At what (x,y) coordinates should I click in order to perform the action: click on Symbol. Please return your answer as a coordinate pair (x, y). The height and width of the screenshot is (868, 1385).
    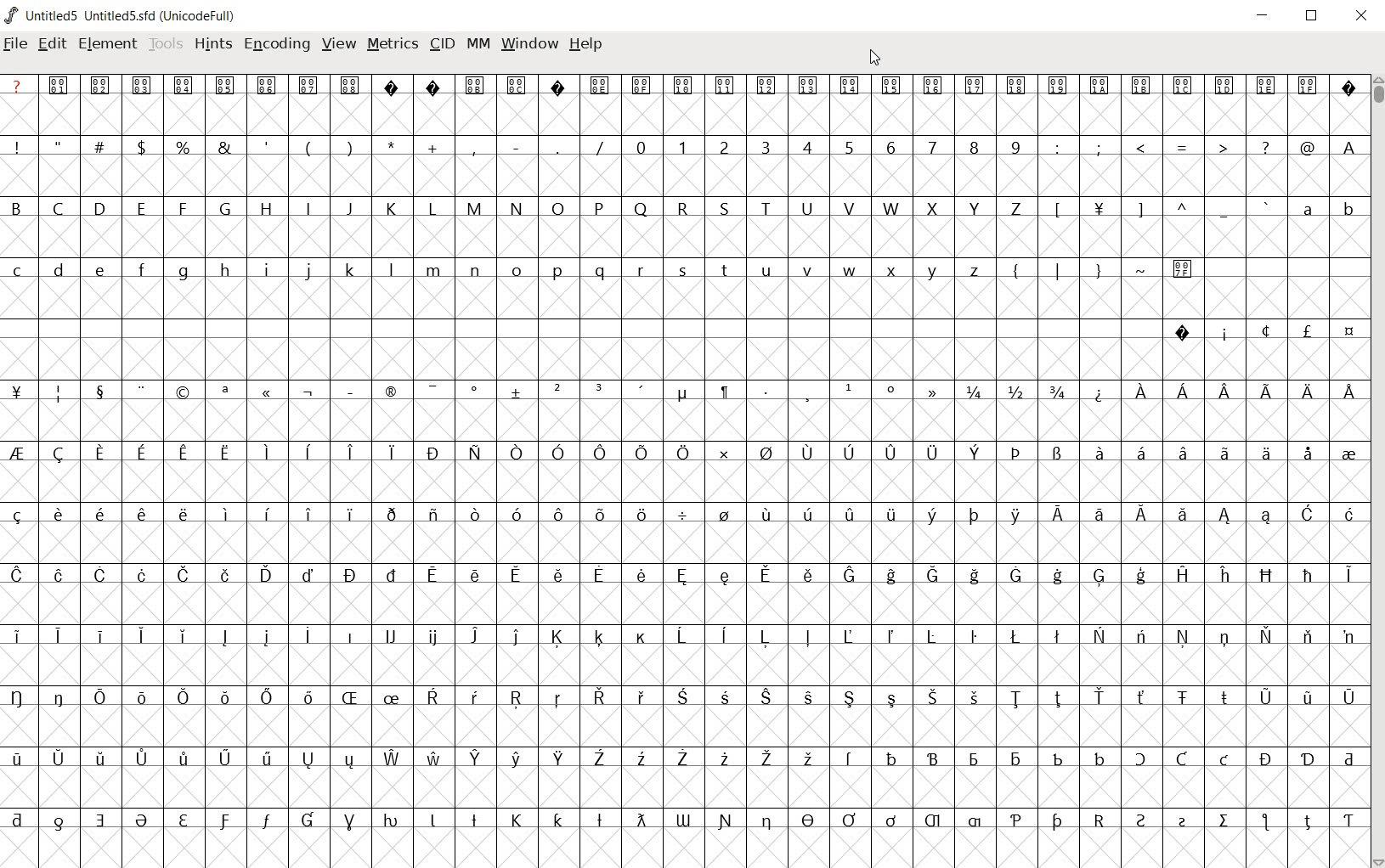
    Looking at the image, I should click on (933, 758).